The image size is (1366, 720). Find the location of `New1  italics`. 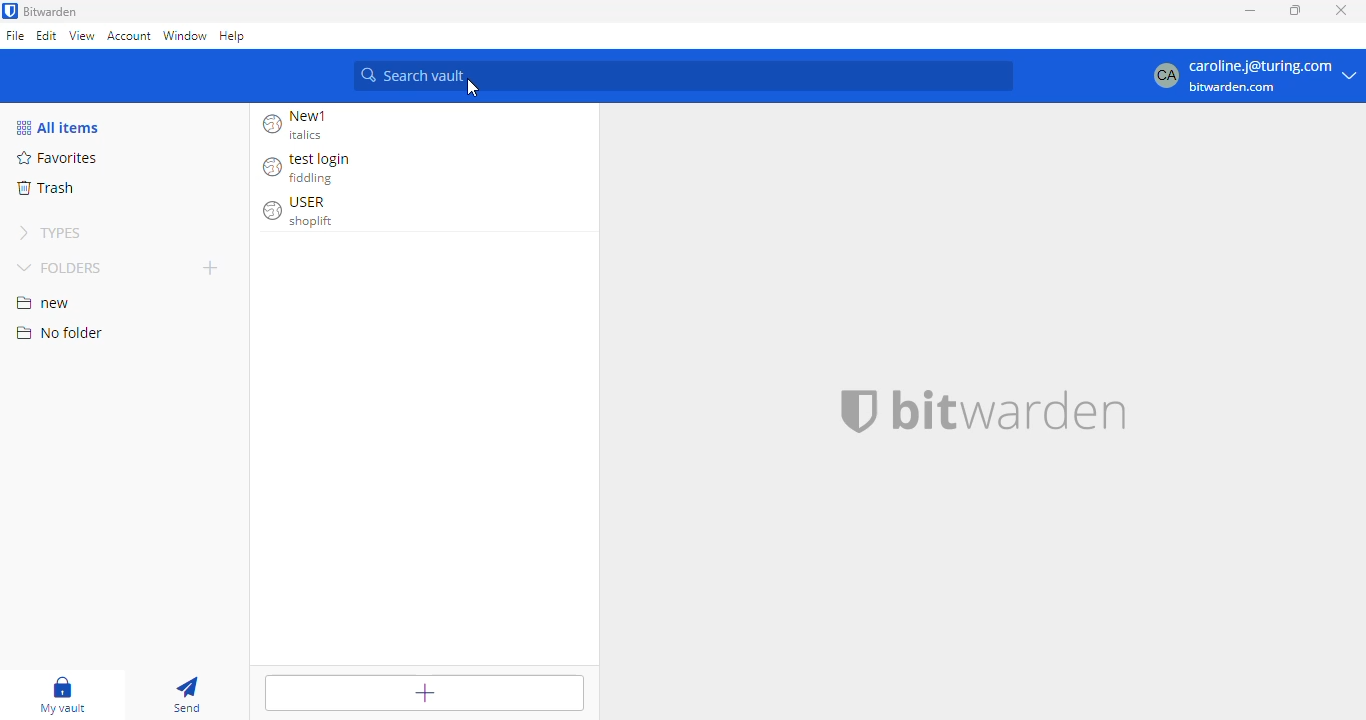

New1  italics is located at coordinates (304, 125).